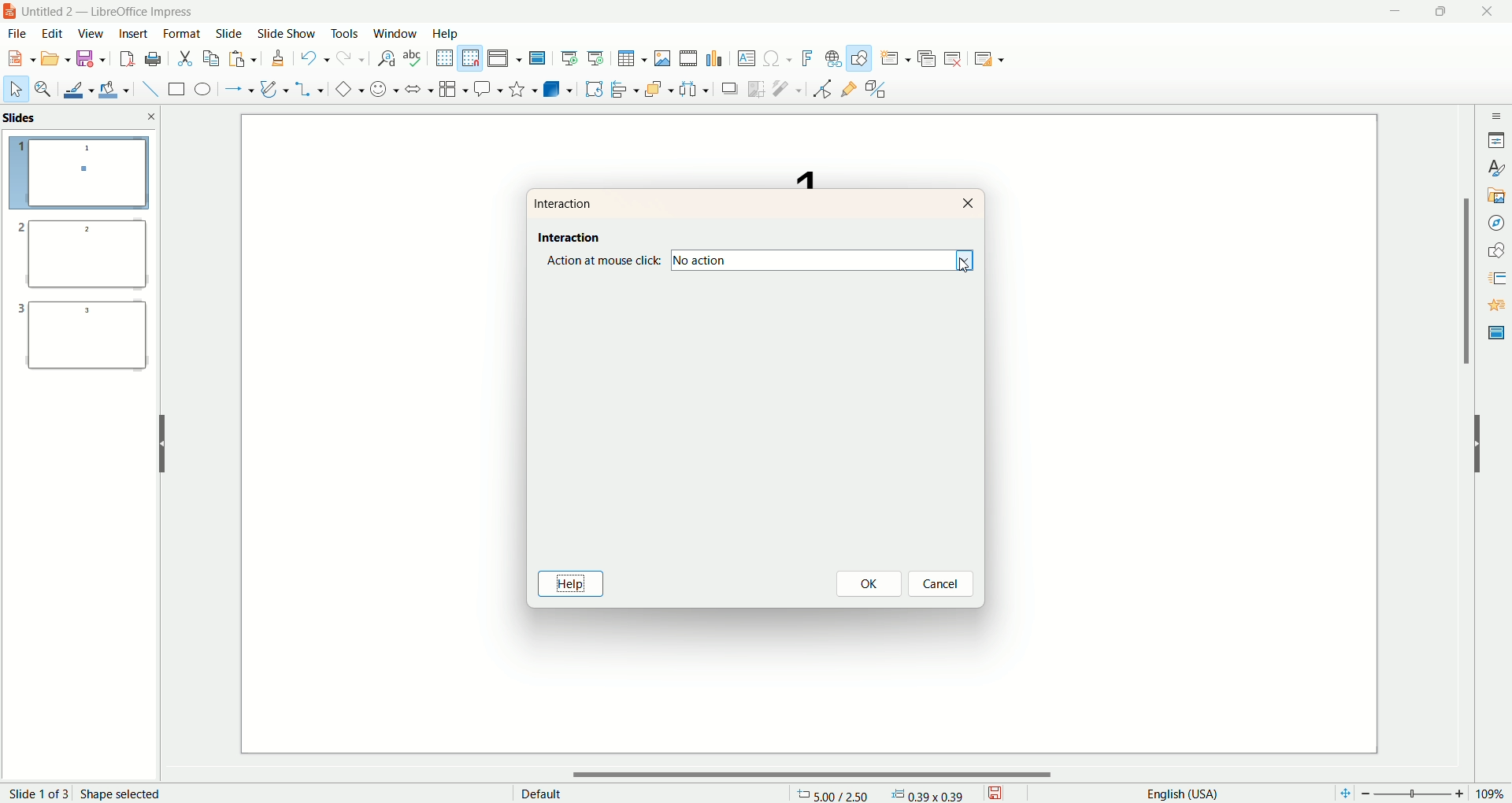 This screenshot has width=1512, height=803. Describe the element at coordinates (1000, 791) in the screenshot. I see `save` at that location.